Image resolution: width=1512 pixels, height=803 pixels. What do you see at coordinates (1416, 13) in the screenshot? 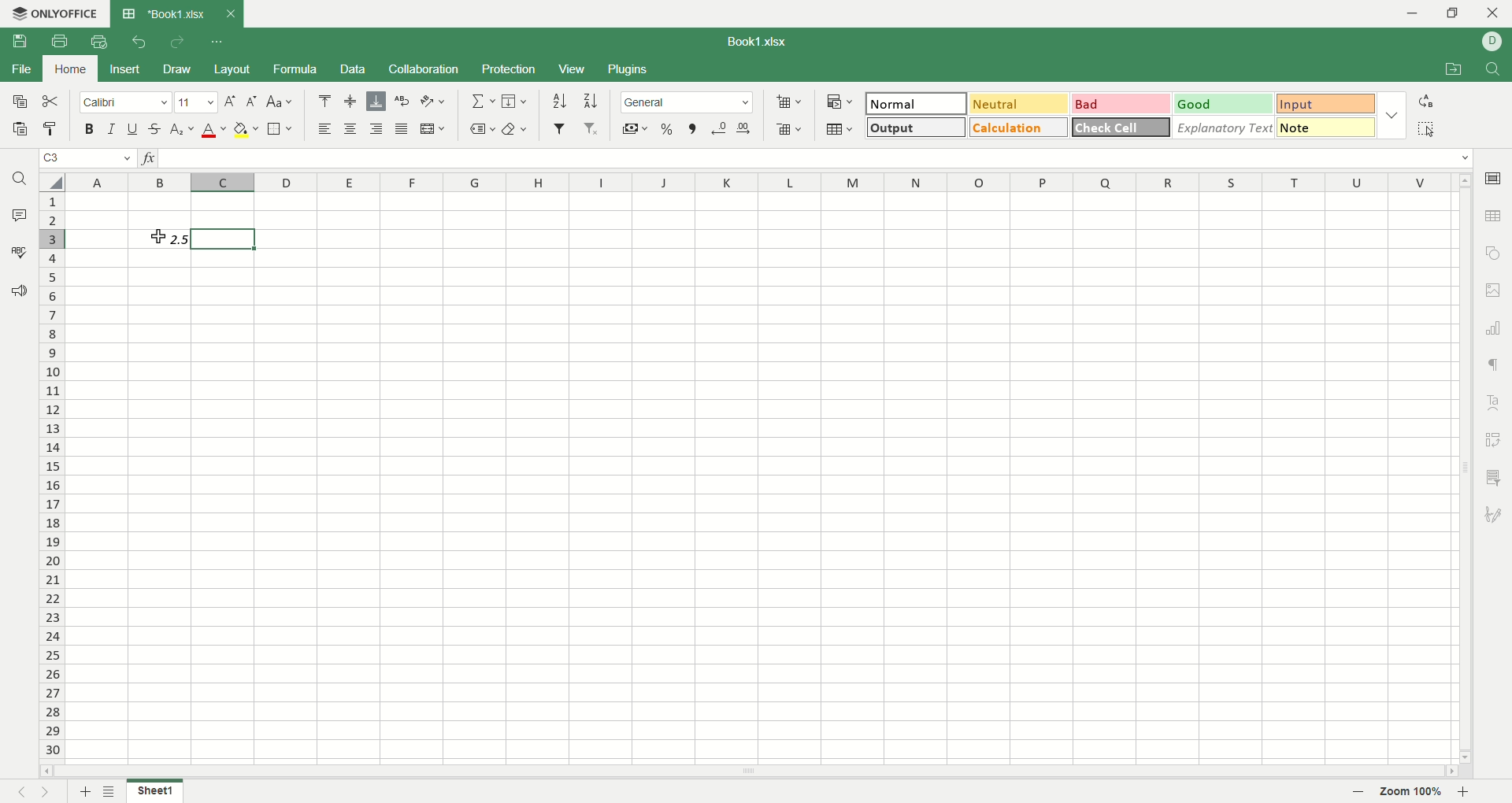
I see `minimize` at bounding box center [1416, 13].